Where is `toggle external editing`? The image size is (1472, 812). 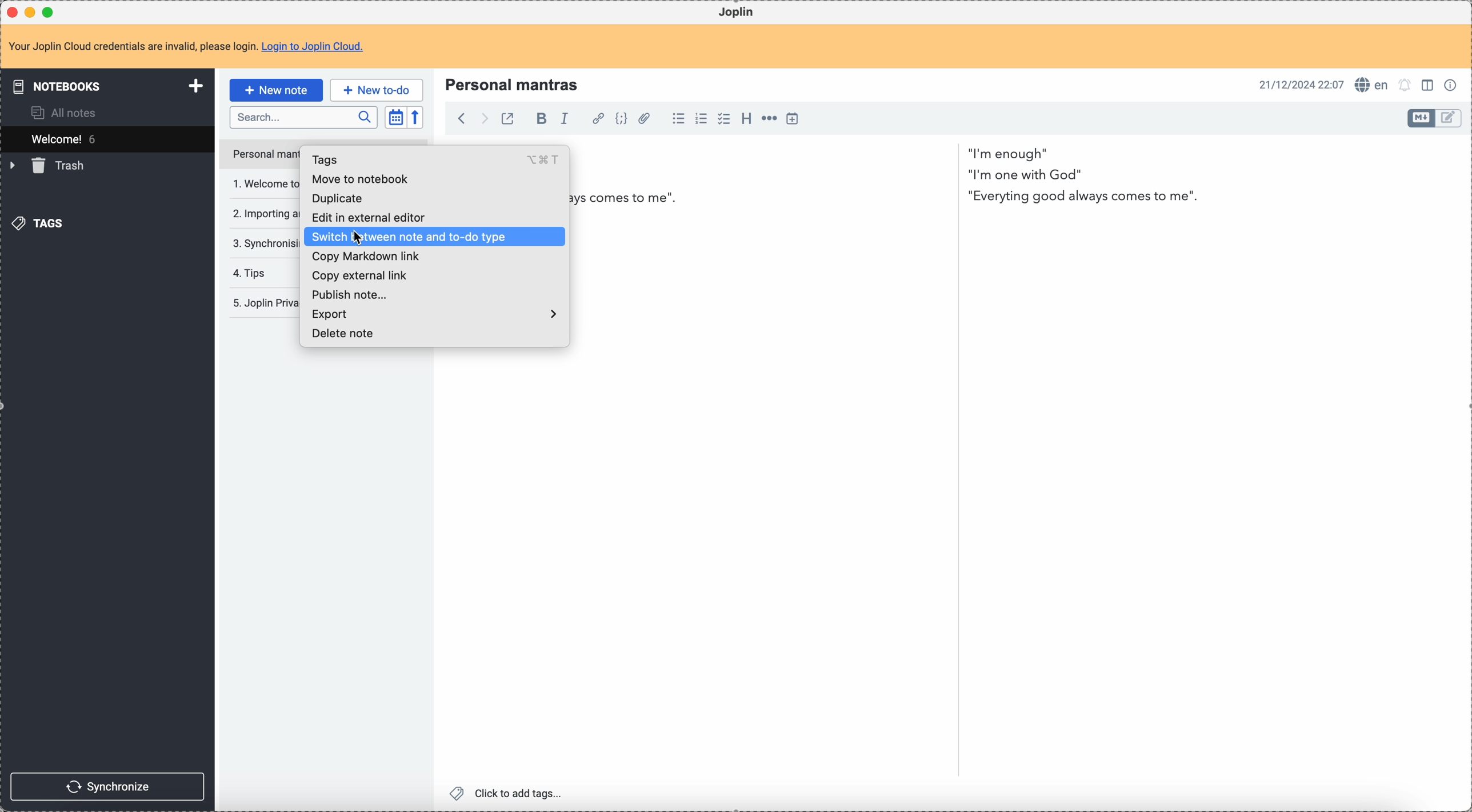
toggle external editing is located at coordinates (509, 120).